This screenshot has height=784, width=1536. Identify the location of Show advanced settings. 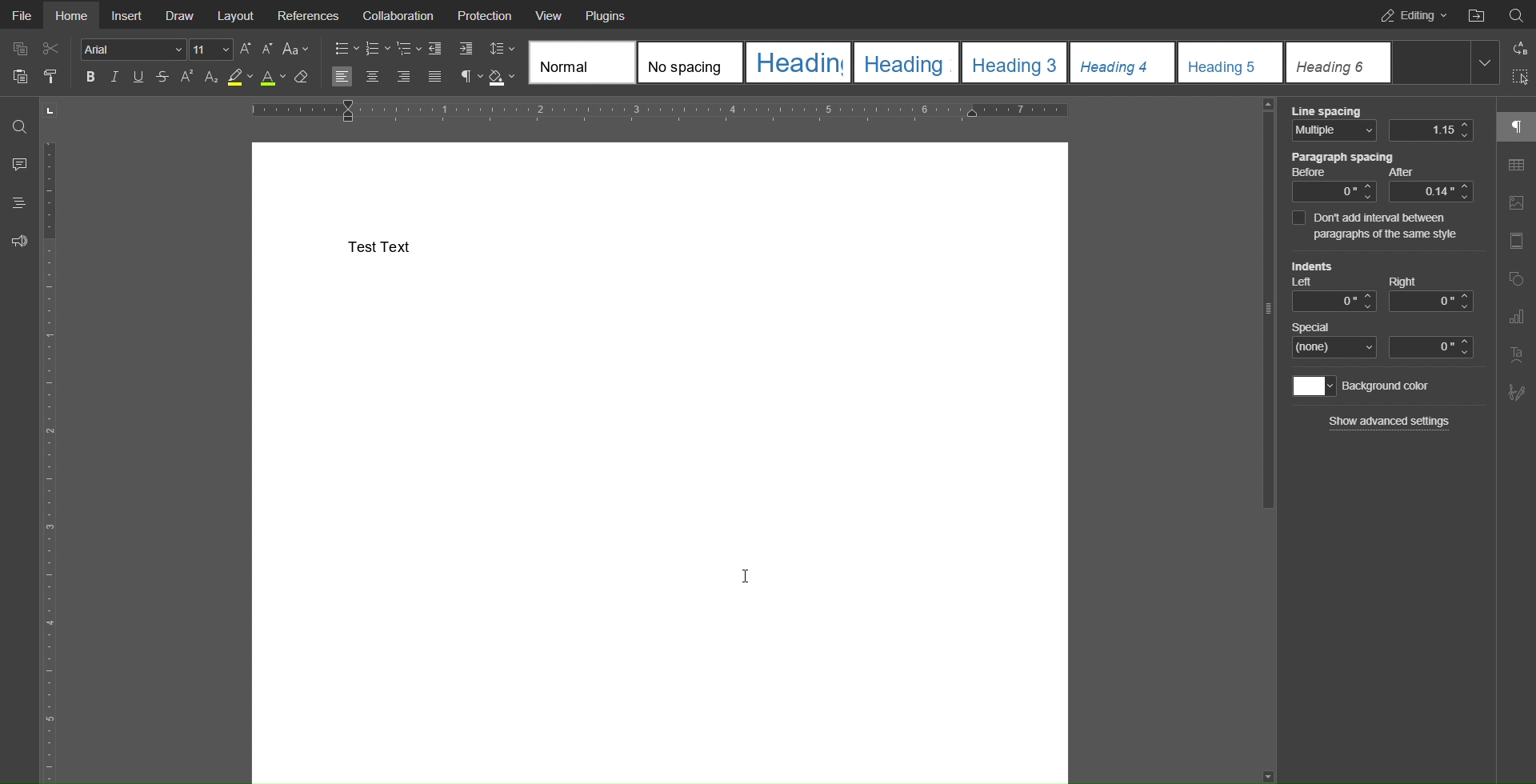
(1390, 421).